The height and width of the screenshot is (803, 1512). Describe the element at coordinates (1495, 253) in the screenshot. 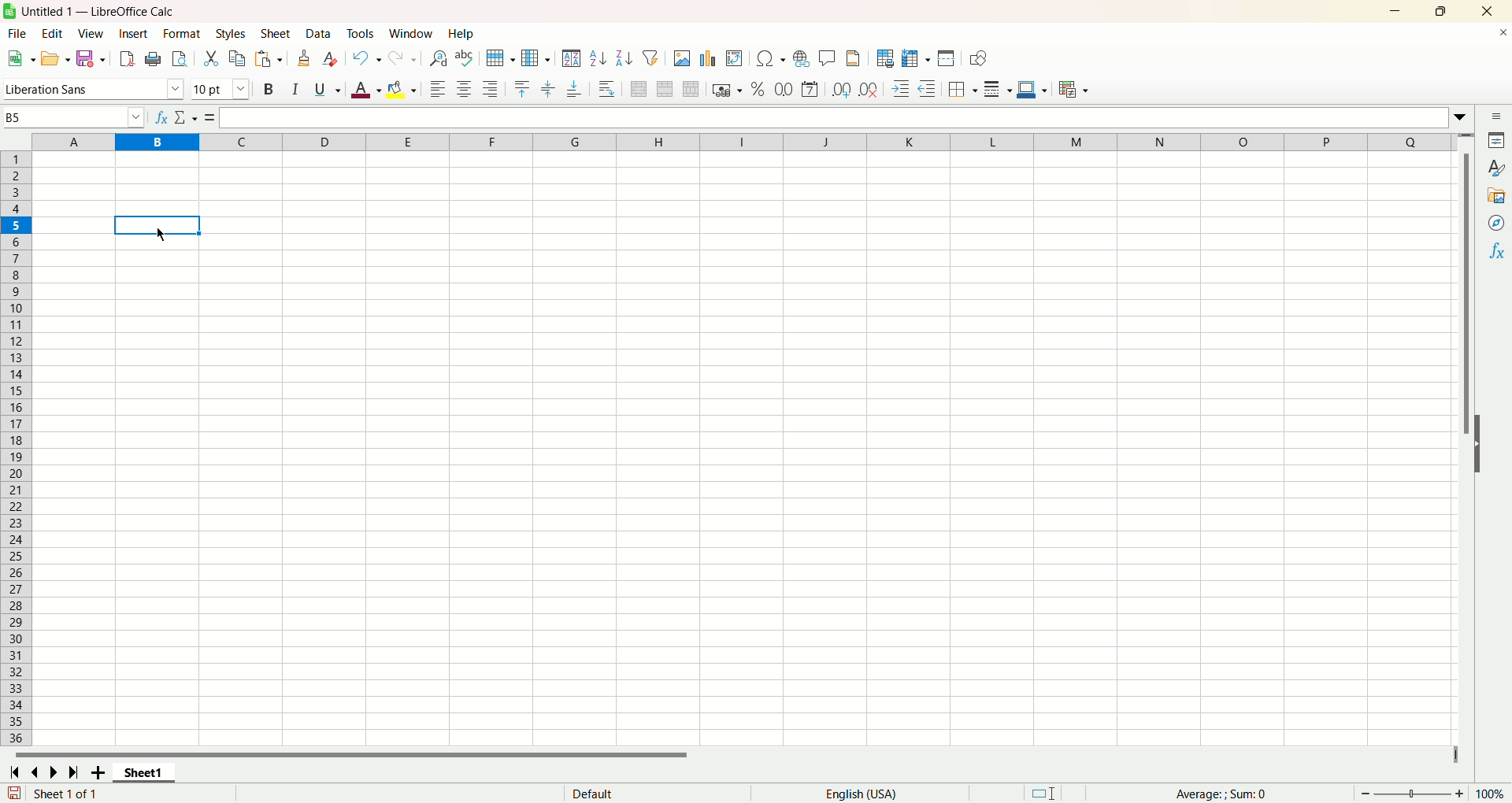

I see `function` at that location.